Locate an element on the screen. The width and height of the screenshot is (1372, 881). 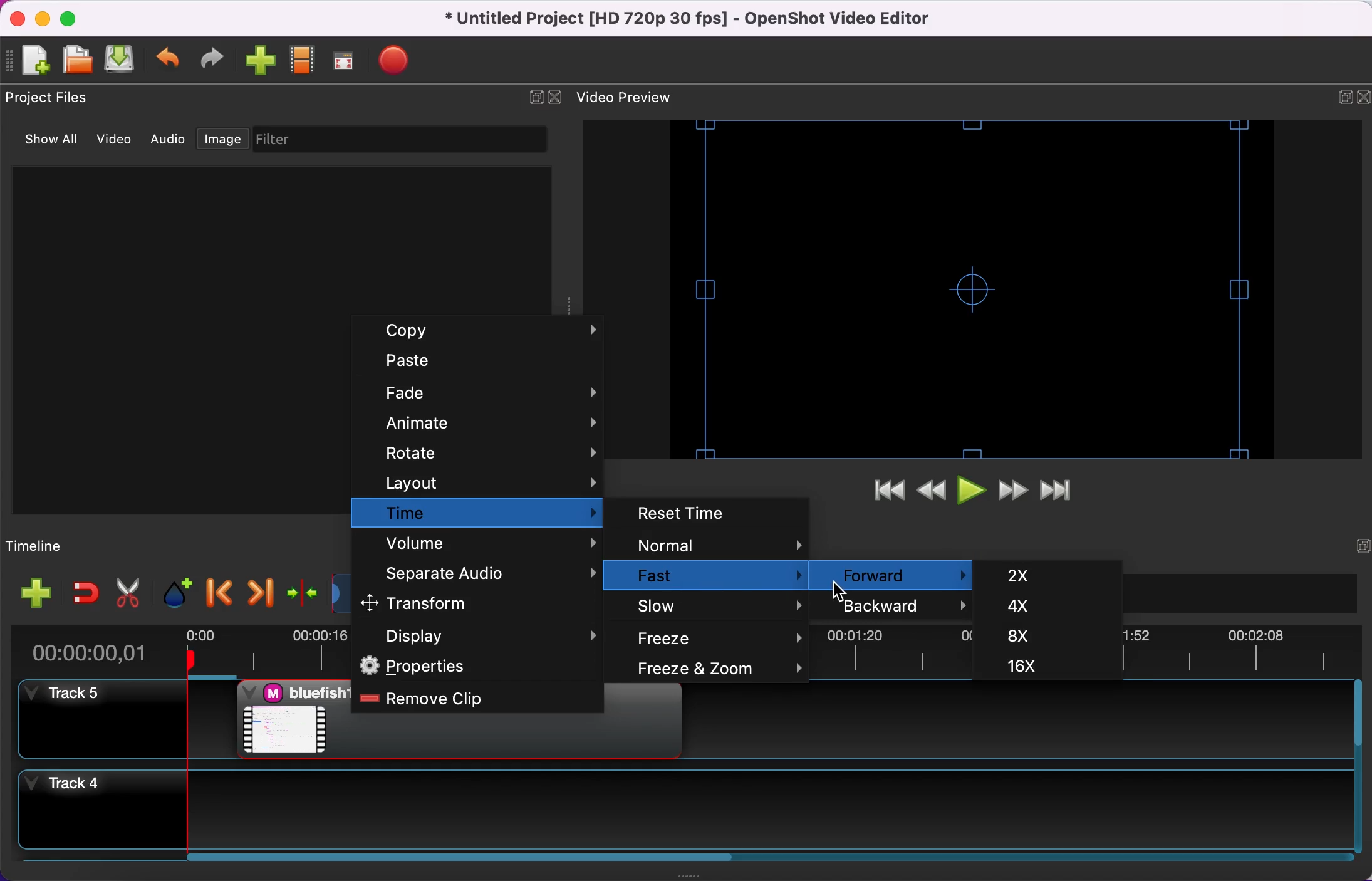
backward is located at coordinates (898, 607).